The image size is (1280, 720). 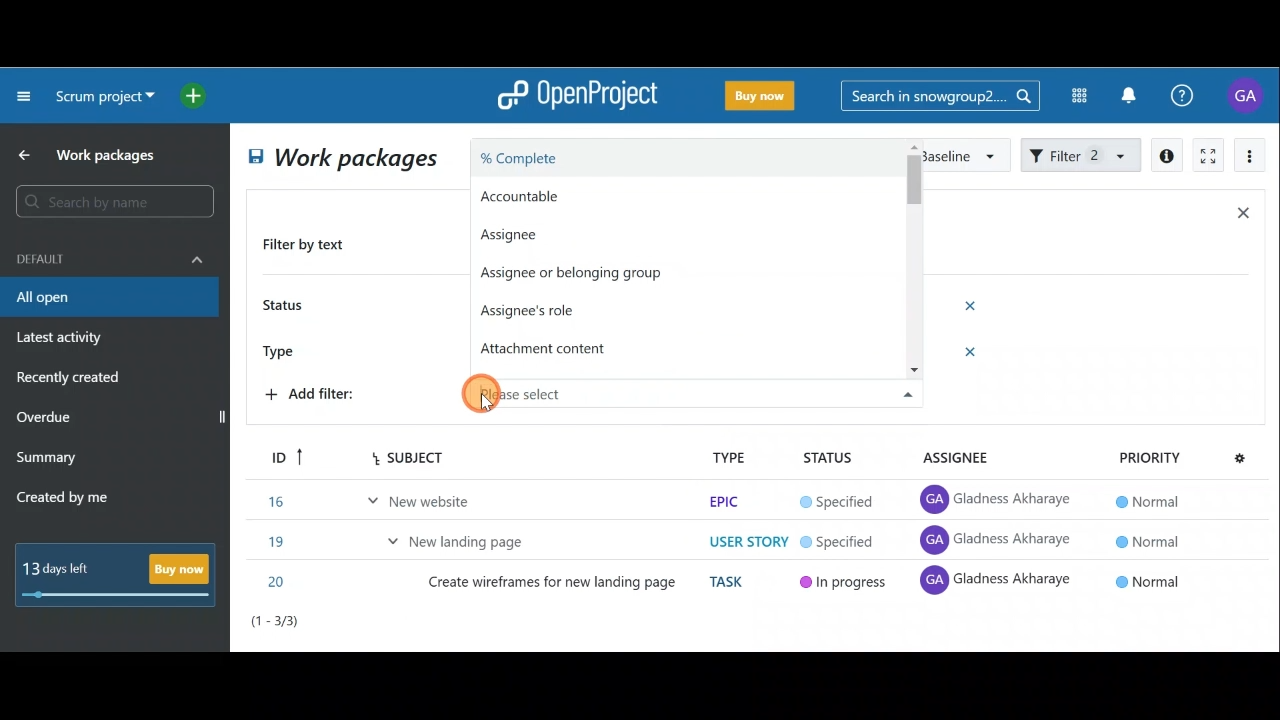 What do you see at coordinates (1150, 580) in the screenshot?
I see `normal` at bounding box center [1150, 580].